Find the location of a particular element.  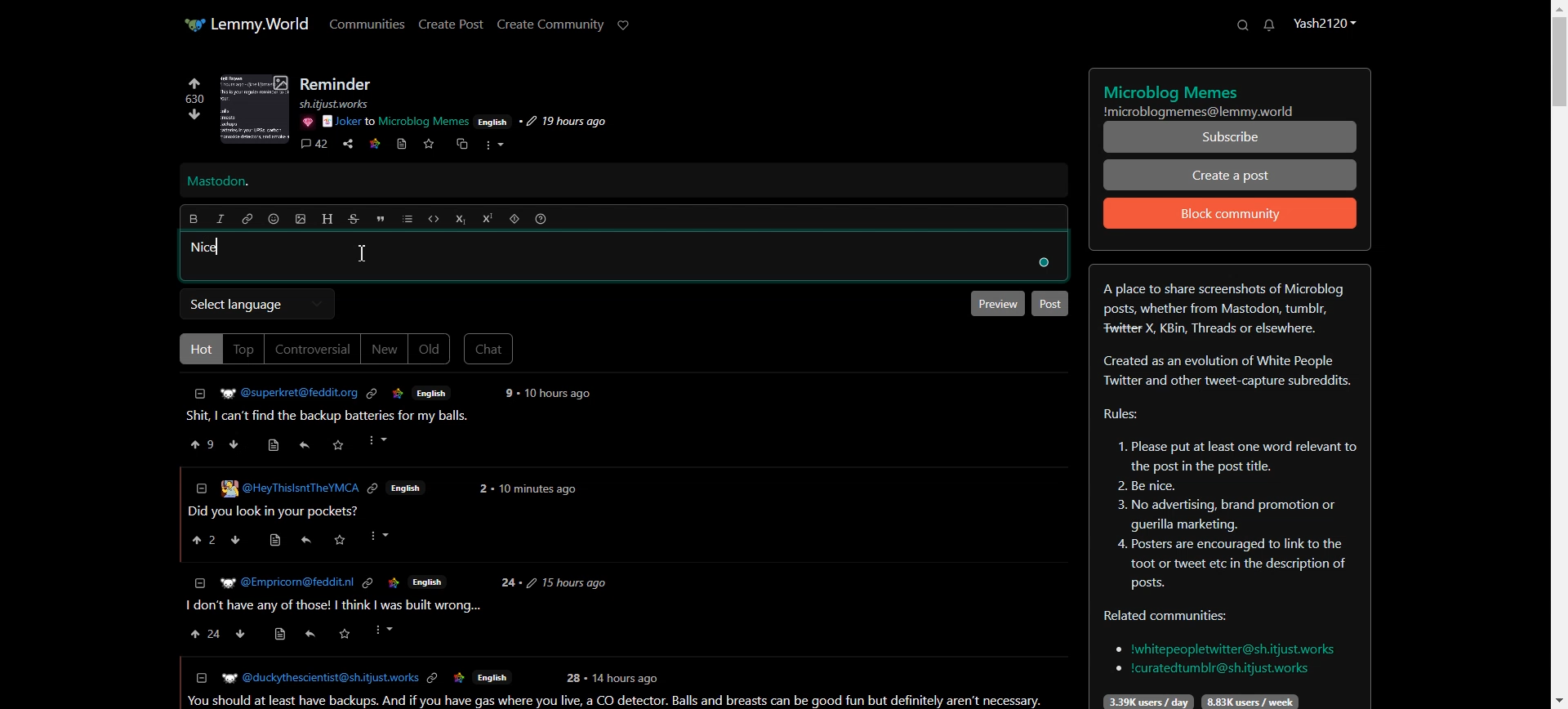

10 minutes ago is located at coordinates (537, 491).